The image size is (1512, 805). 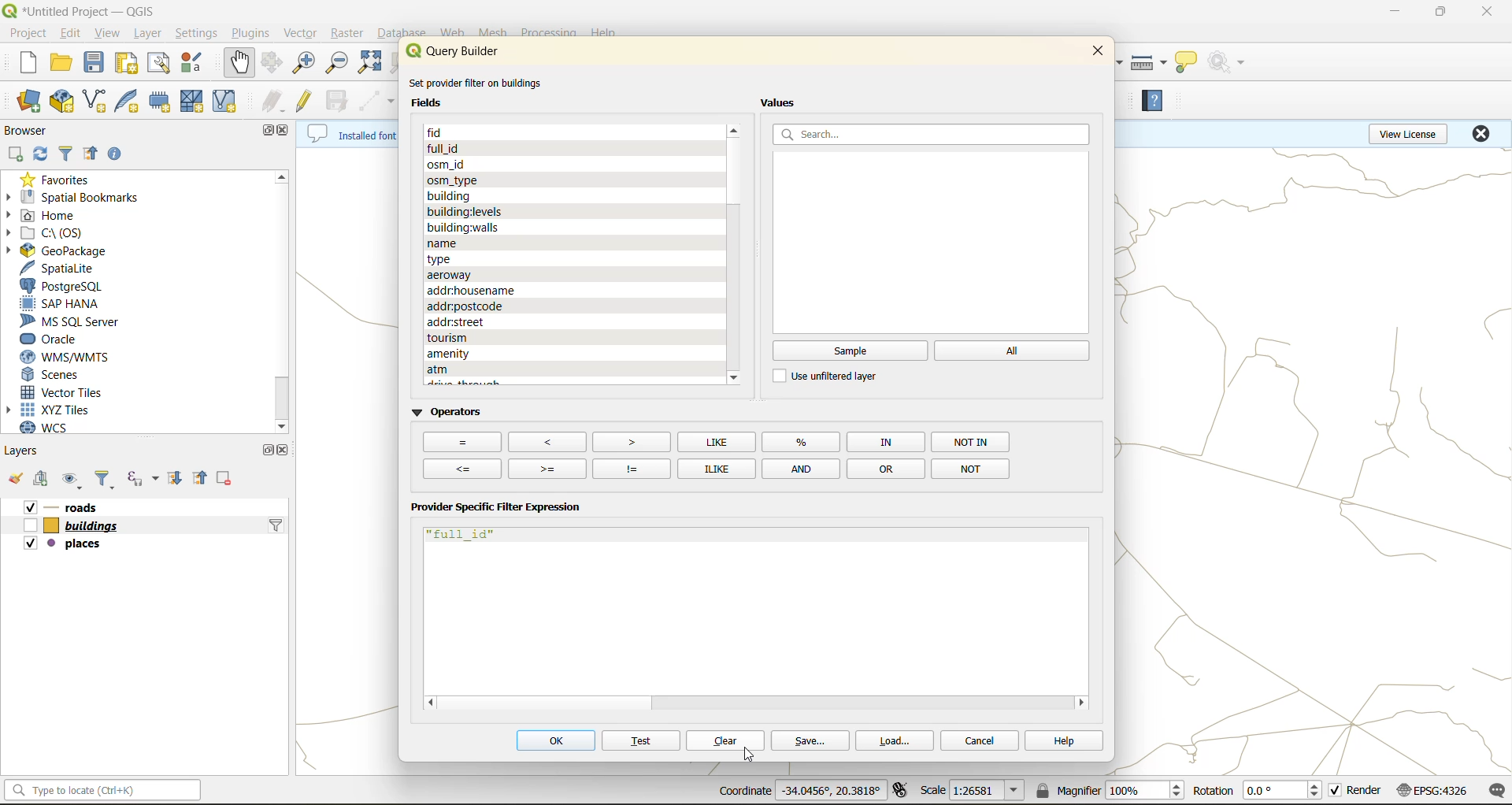 I want to click on cursor, so click(x=749, y=755).